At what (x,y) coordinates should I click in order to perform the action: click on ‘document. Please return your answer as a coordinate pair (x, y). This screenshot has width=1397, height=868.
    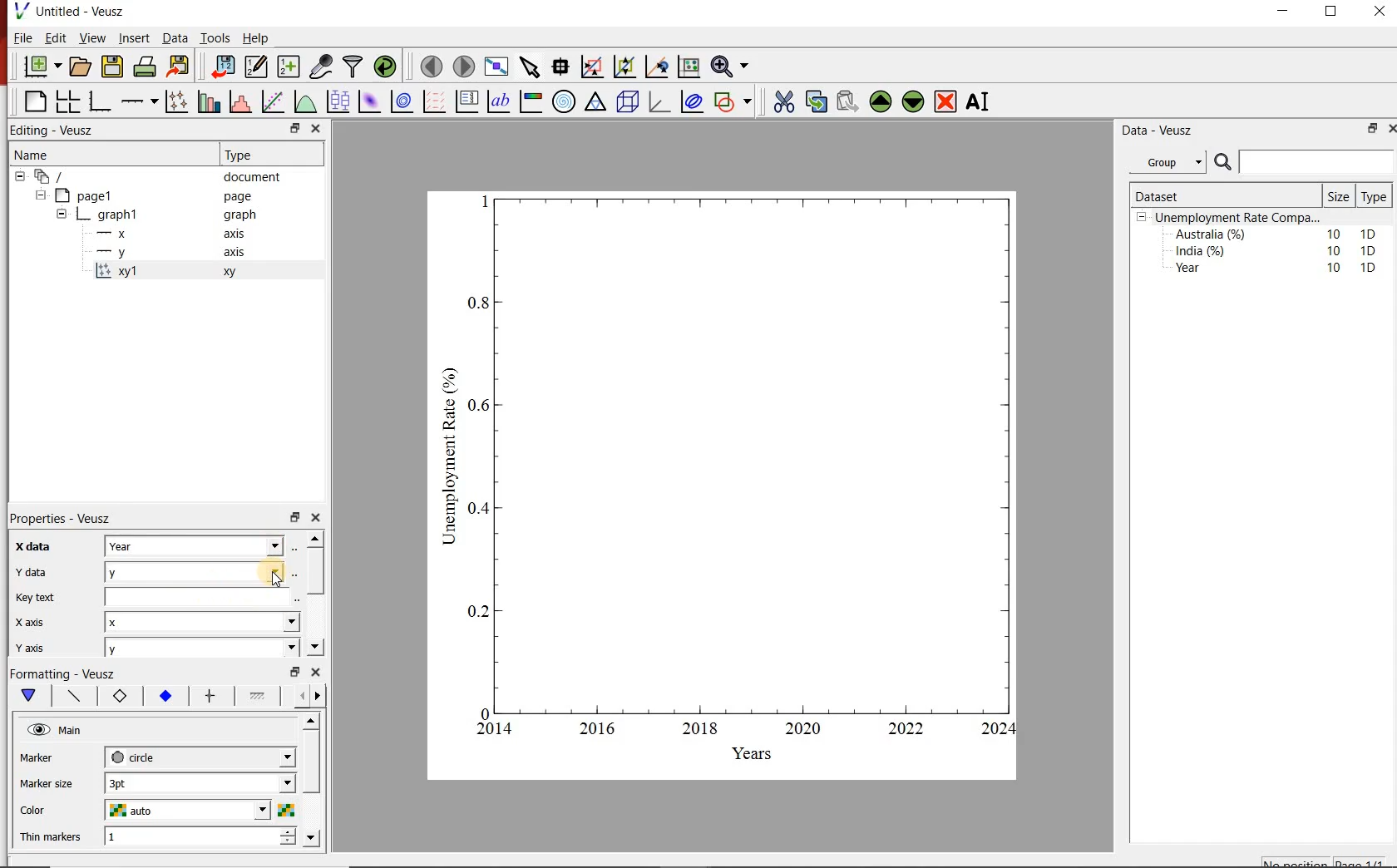
    Looking at the image, I should click on (155, 175).